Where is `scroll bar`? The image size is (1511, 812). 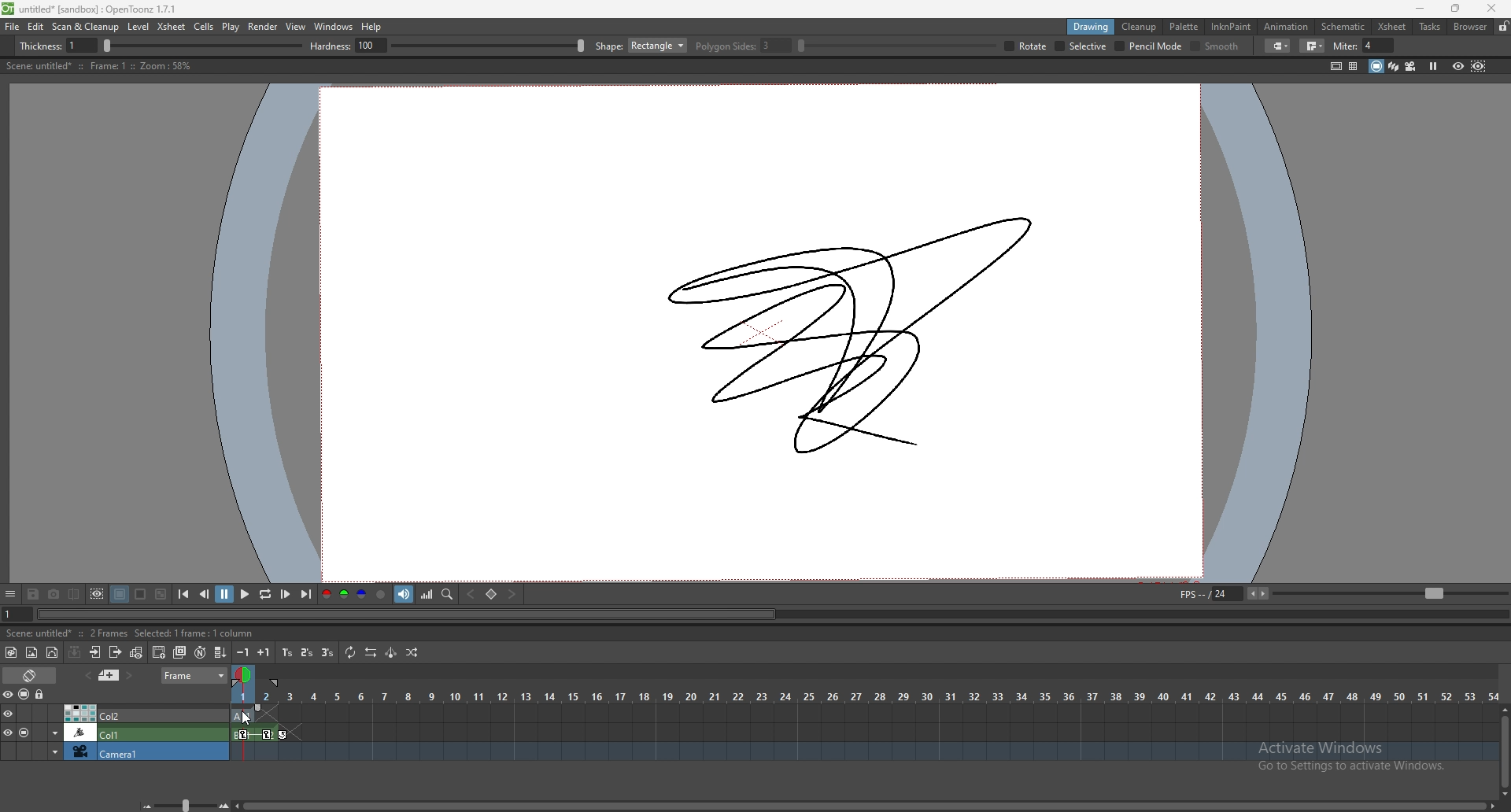 scroll bar is located at coordinates (866, 804).